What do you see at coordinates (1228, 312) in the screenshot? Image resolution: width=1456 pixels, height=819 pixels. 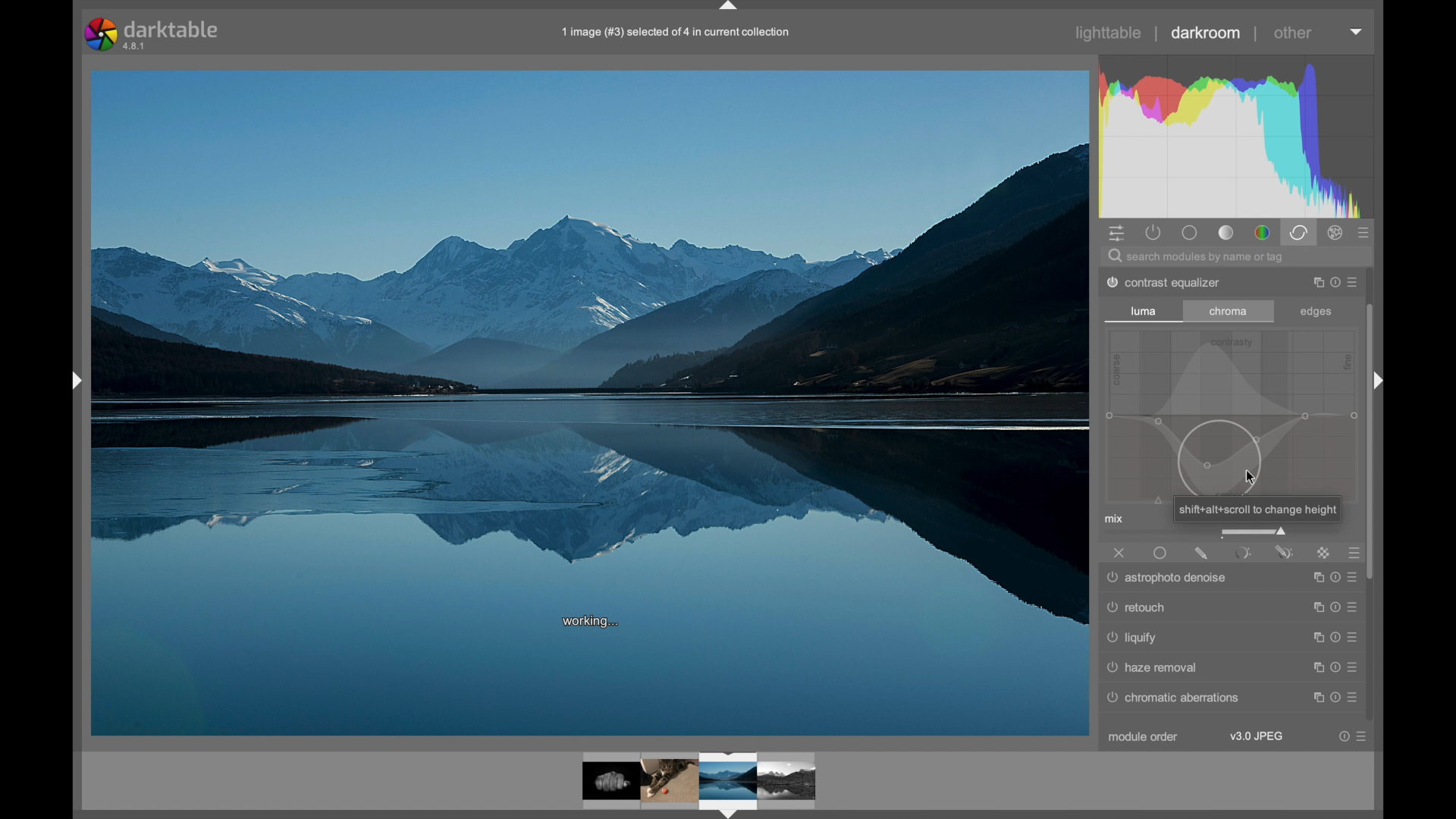 I see `chroma` at bounding box center [1228, 312].